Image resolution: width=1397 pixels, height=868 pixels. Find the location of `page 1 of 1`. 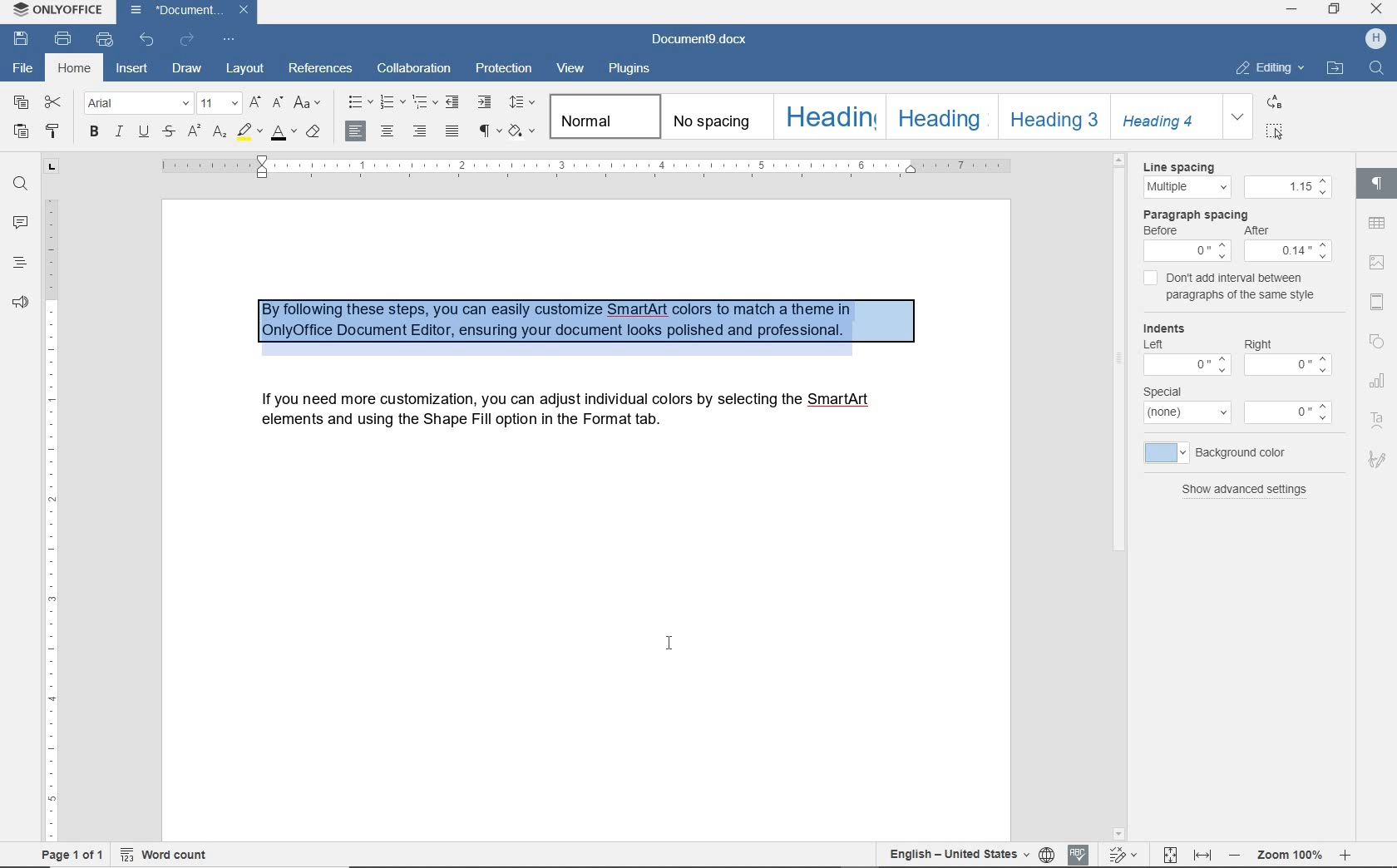

page 1 of 1 is located at coordinates (74, 852).